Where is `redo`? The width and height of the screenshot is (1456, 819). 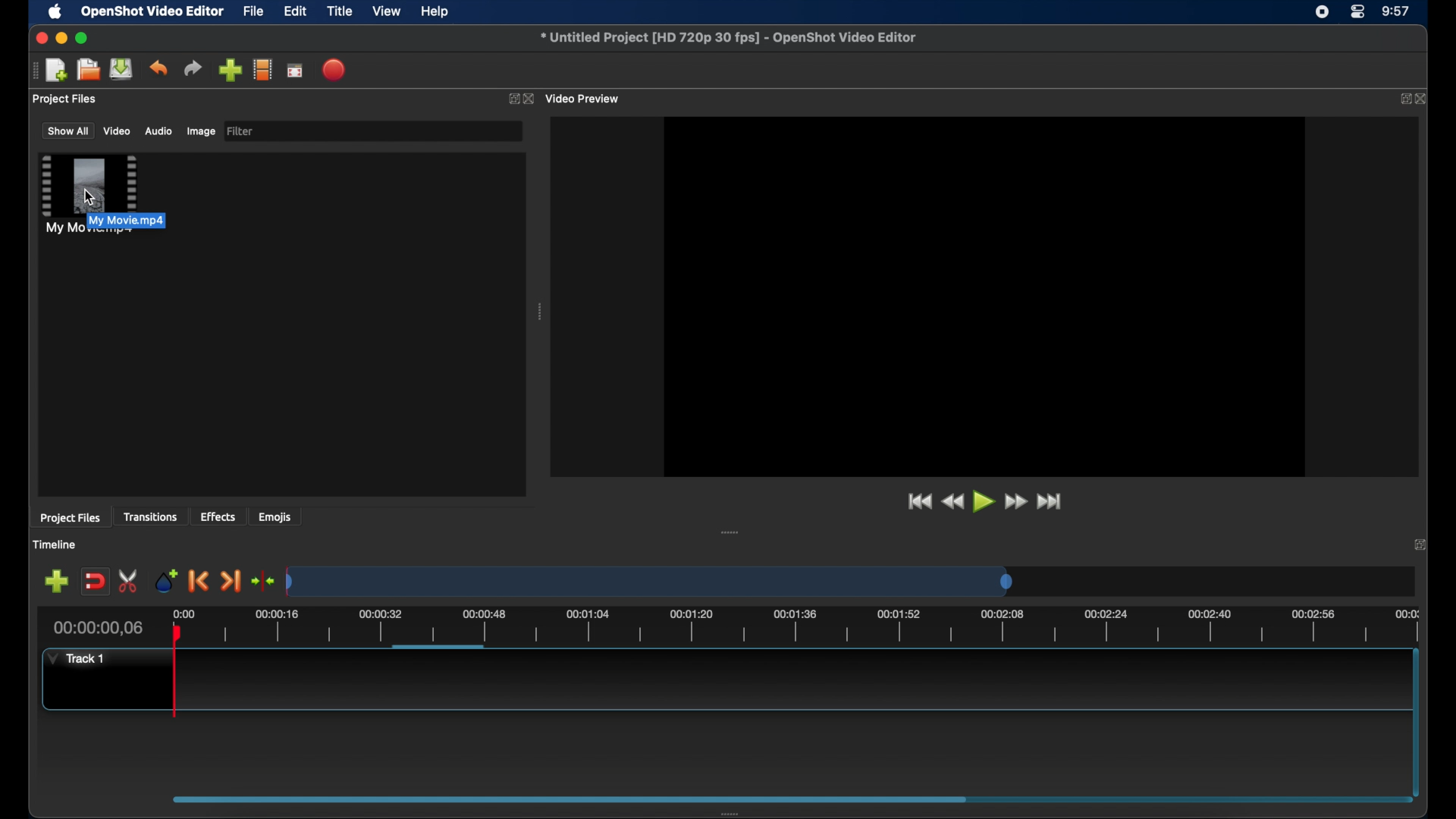
redo is located at coordinates (193, 68).